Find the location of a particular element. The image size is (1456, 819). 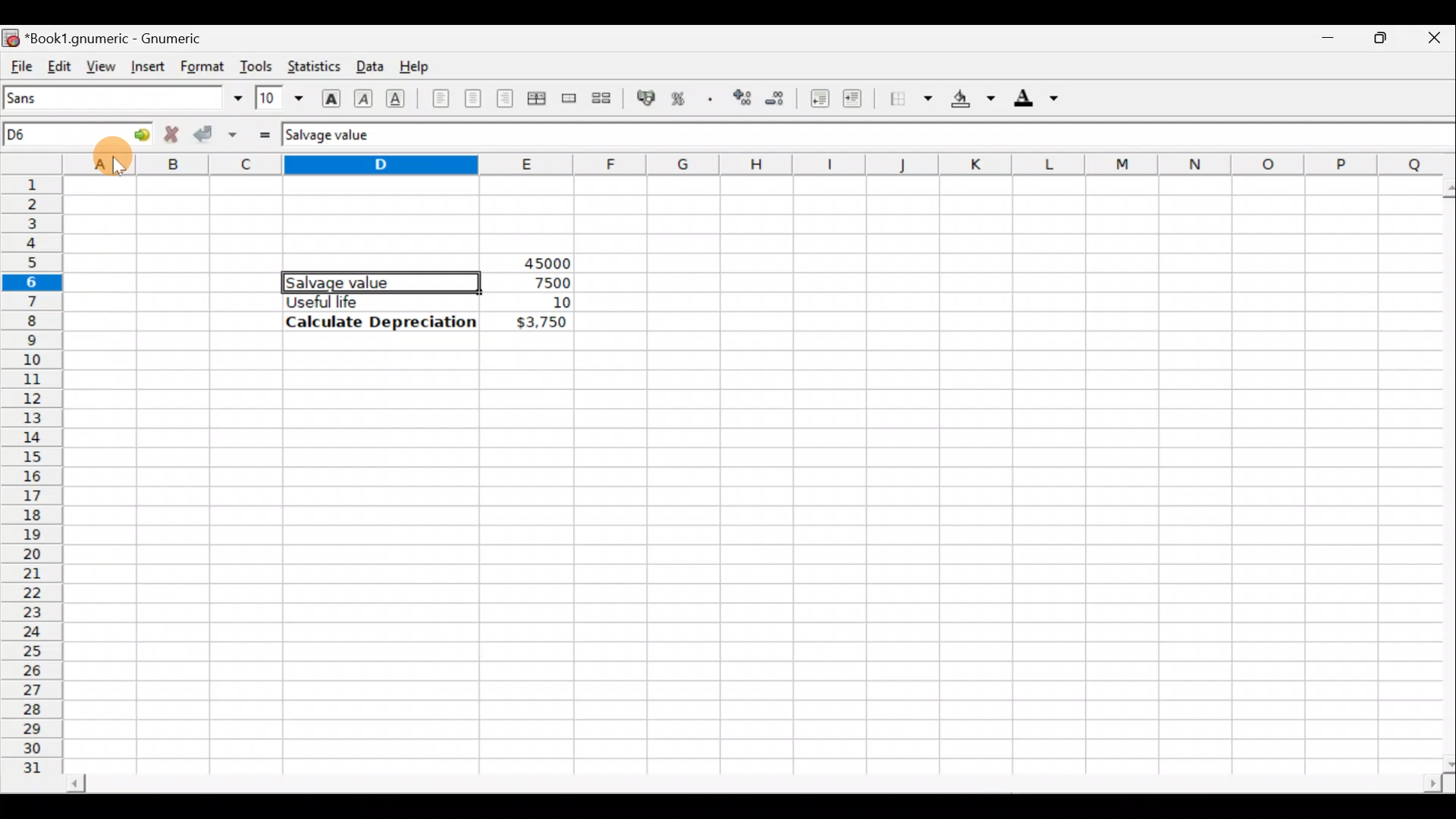

45000 is located at coordinates (533, 260).